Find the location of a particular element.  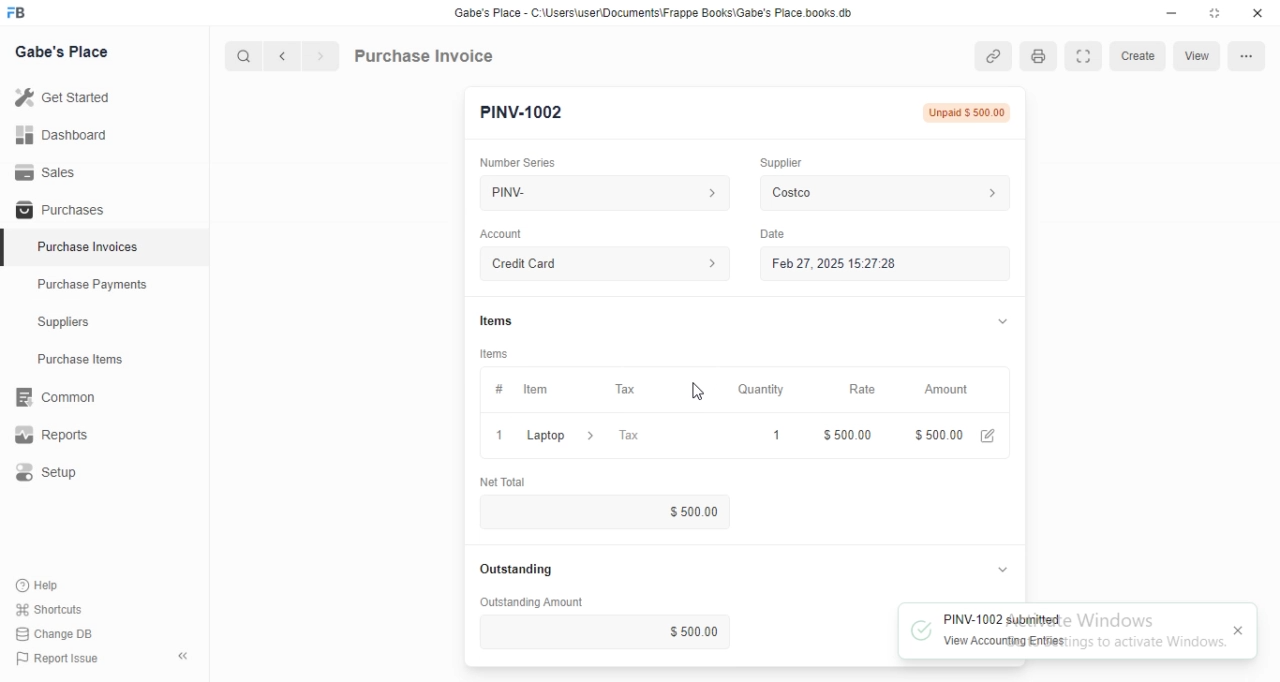

Quantity is located at coordinates (750, 389).